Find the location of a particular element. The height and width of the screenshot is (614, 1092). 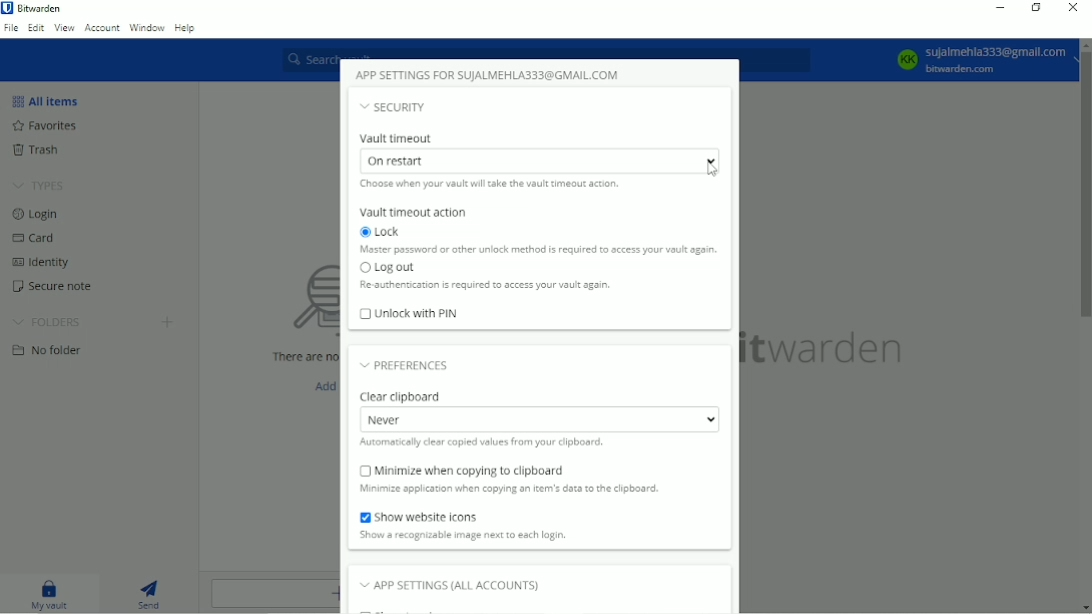

Automatically clear copied values from your clipboard. is located at coordinates (485, 444).